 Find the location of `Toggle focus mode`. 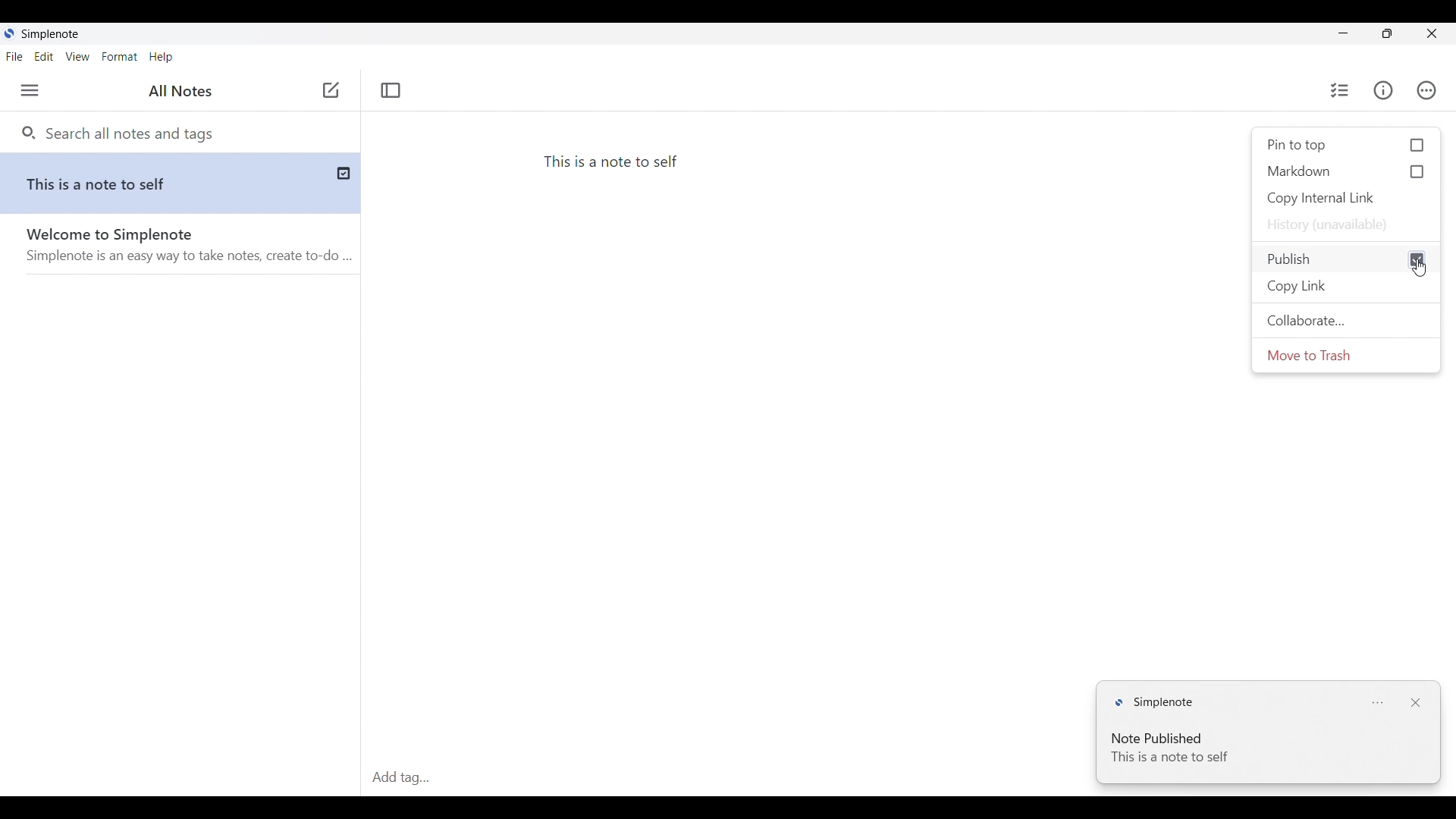

Toggle focus mode is located at coordinates (391, 89).